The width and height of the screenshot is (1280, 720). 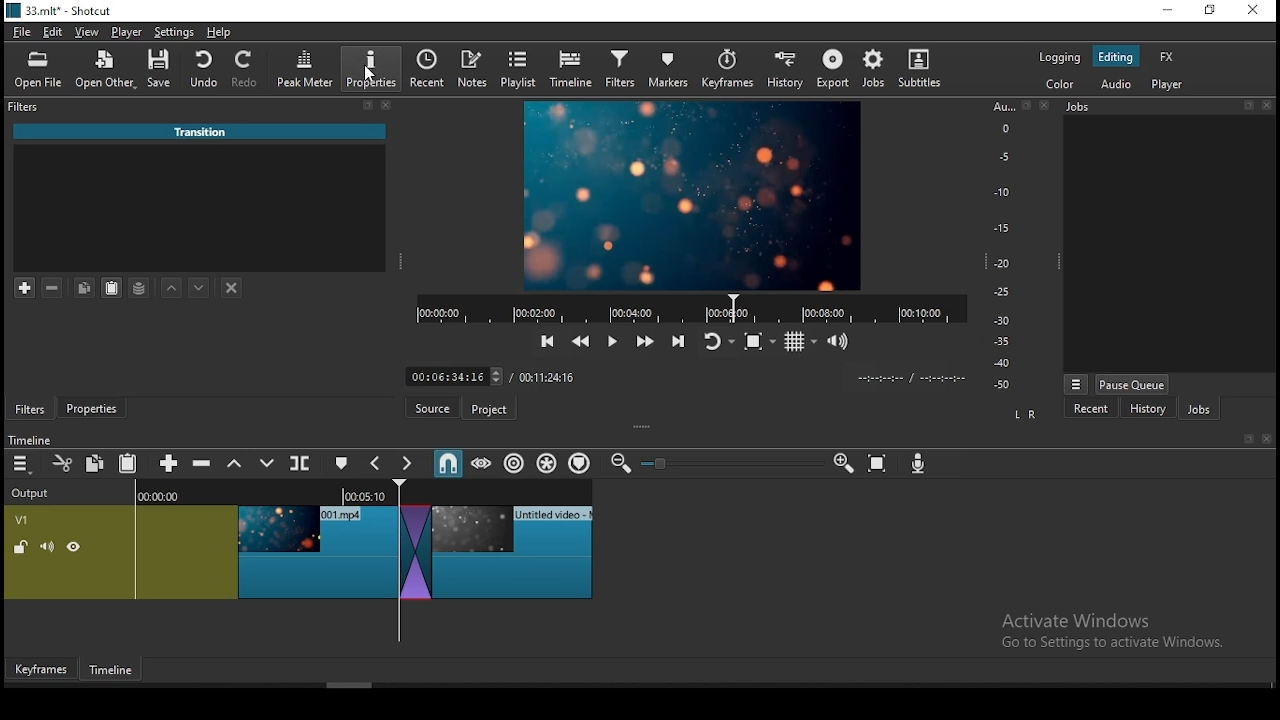 I want to click on ripple delete, so click(x=204, y=463).